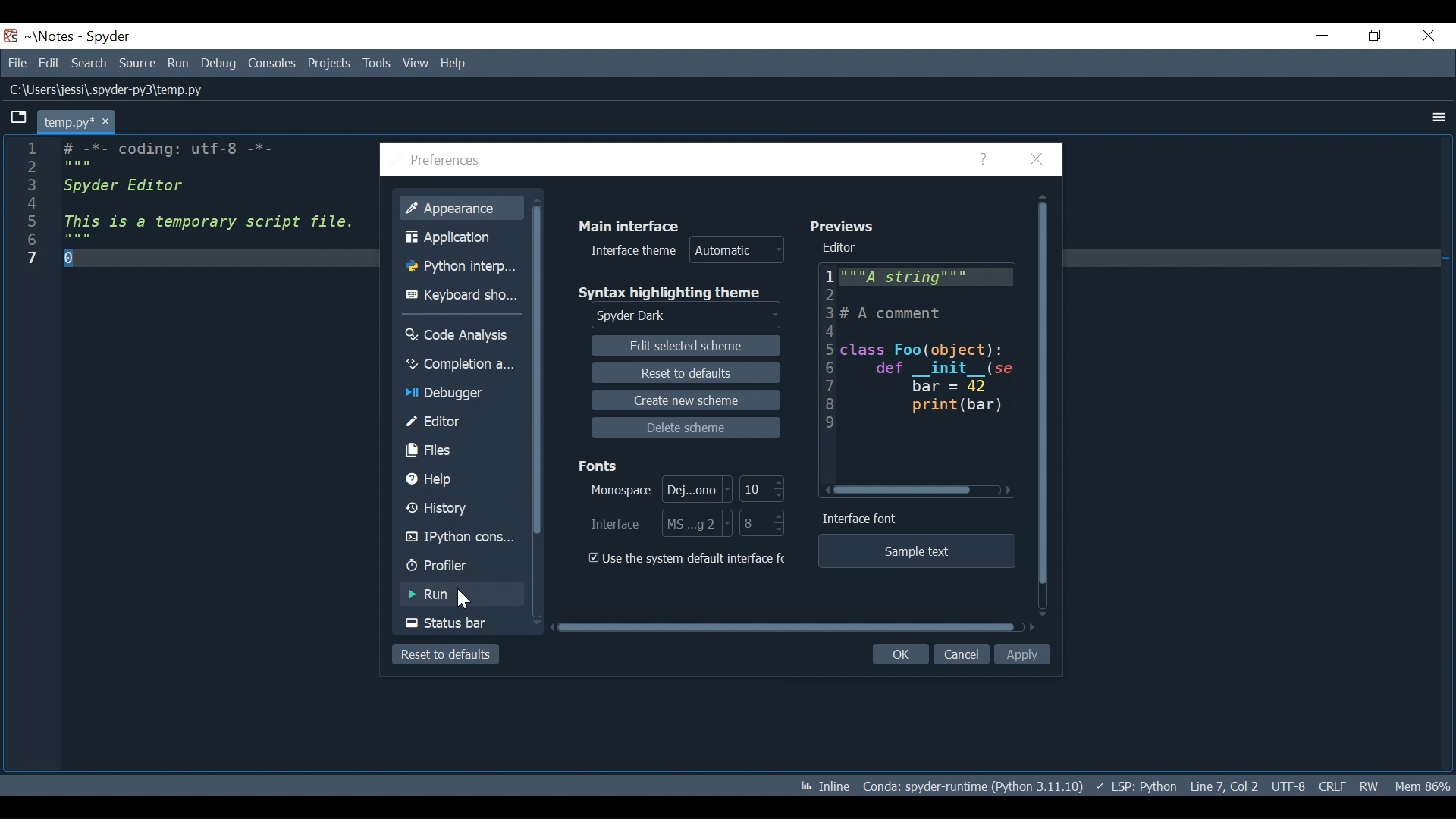 The image size is (1456, 819). I want to click on Edit selected scheme, so click(689, 347).